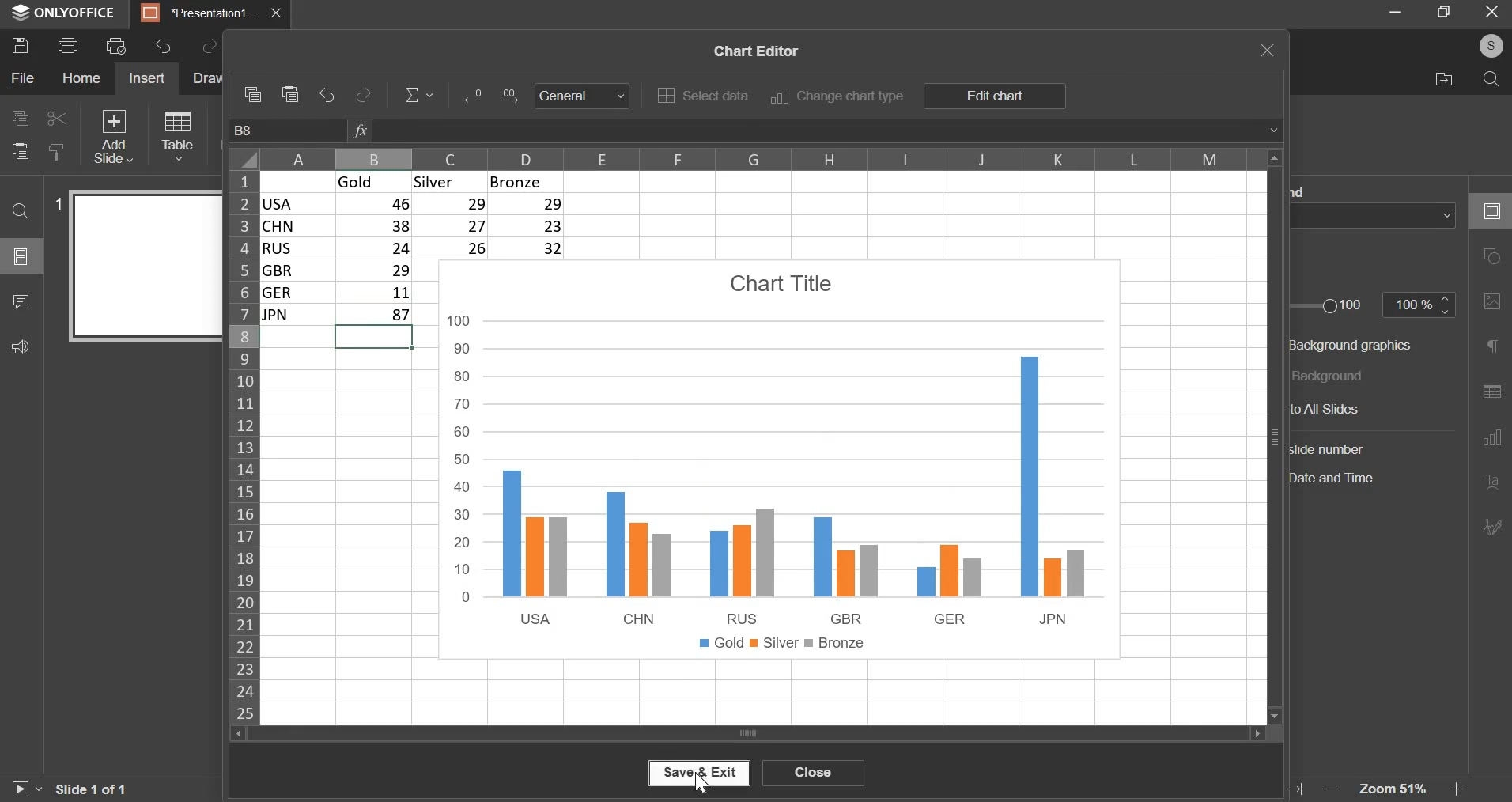 Image resolution: width=1512 pixels, height=802 pixels. I want to click on slide preview, so click(145, 267).